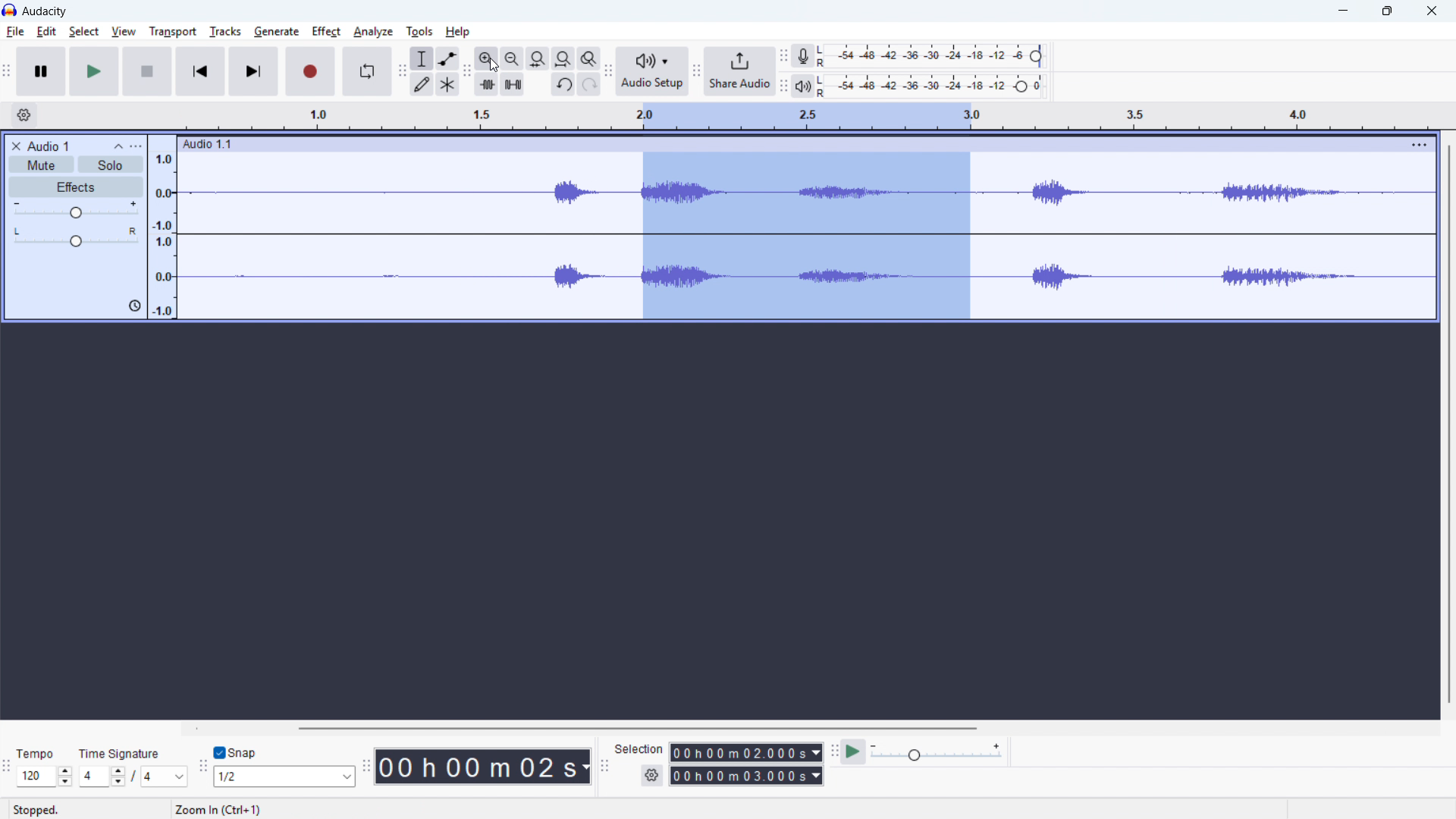 The width and height of the screenshot is (1456, 819). Describe the element at coordinates (163, 226) in the screenshot. I see `Amplitude` at that location.